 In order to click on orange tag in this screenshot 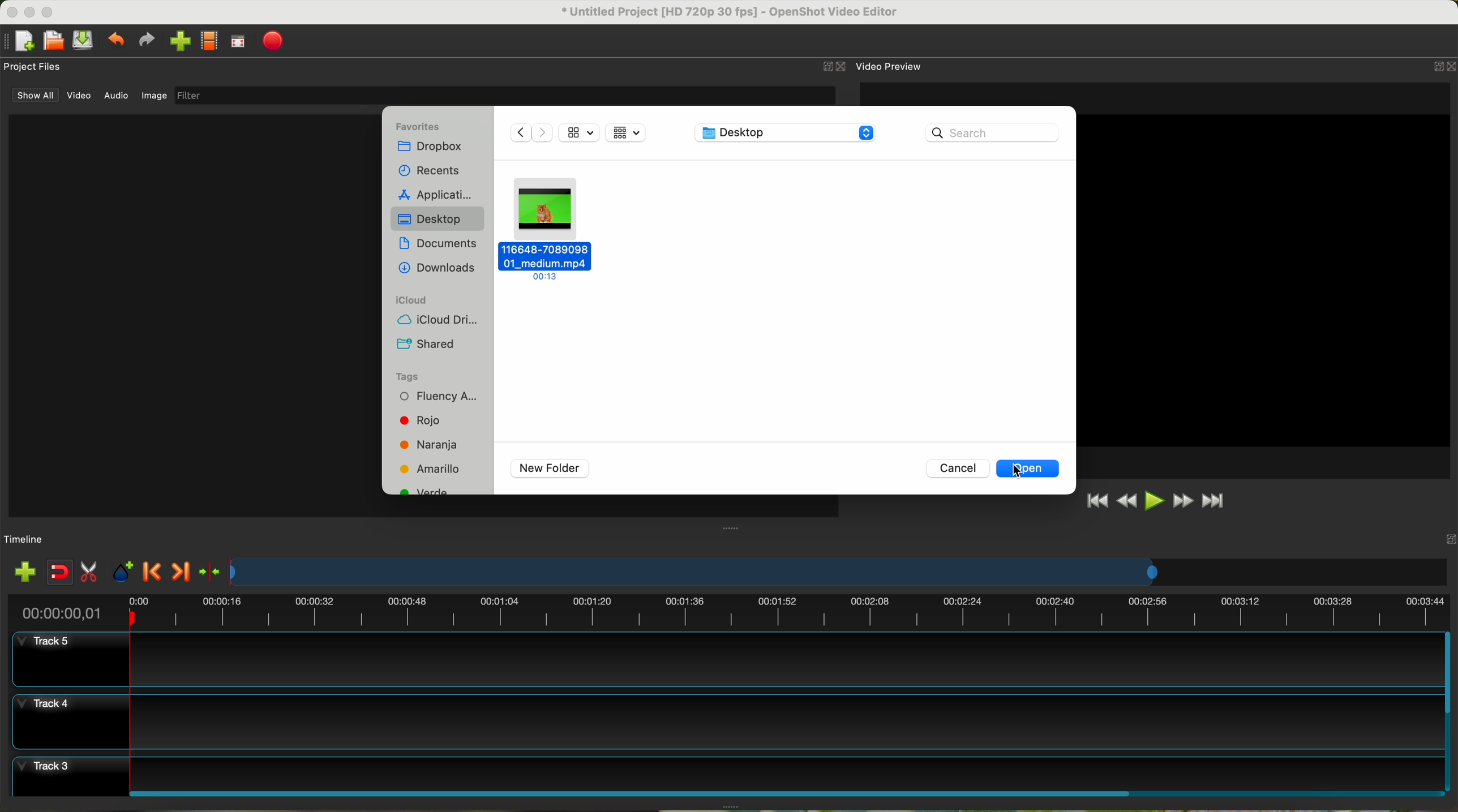, I will do `click(431, 446)`.